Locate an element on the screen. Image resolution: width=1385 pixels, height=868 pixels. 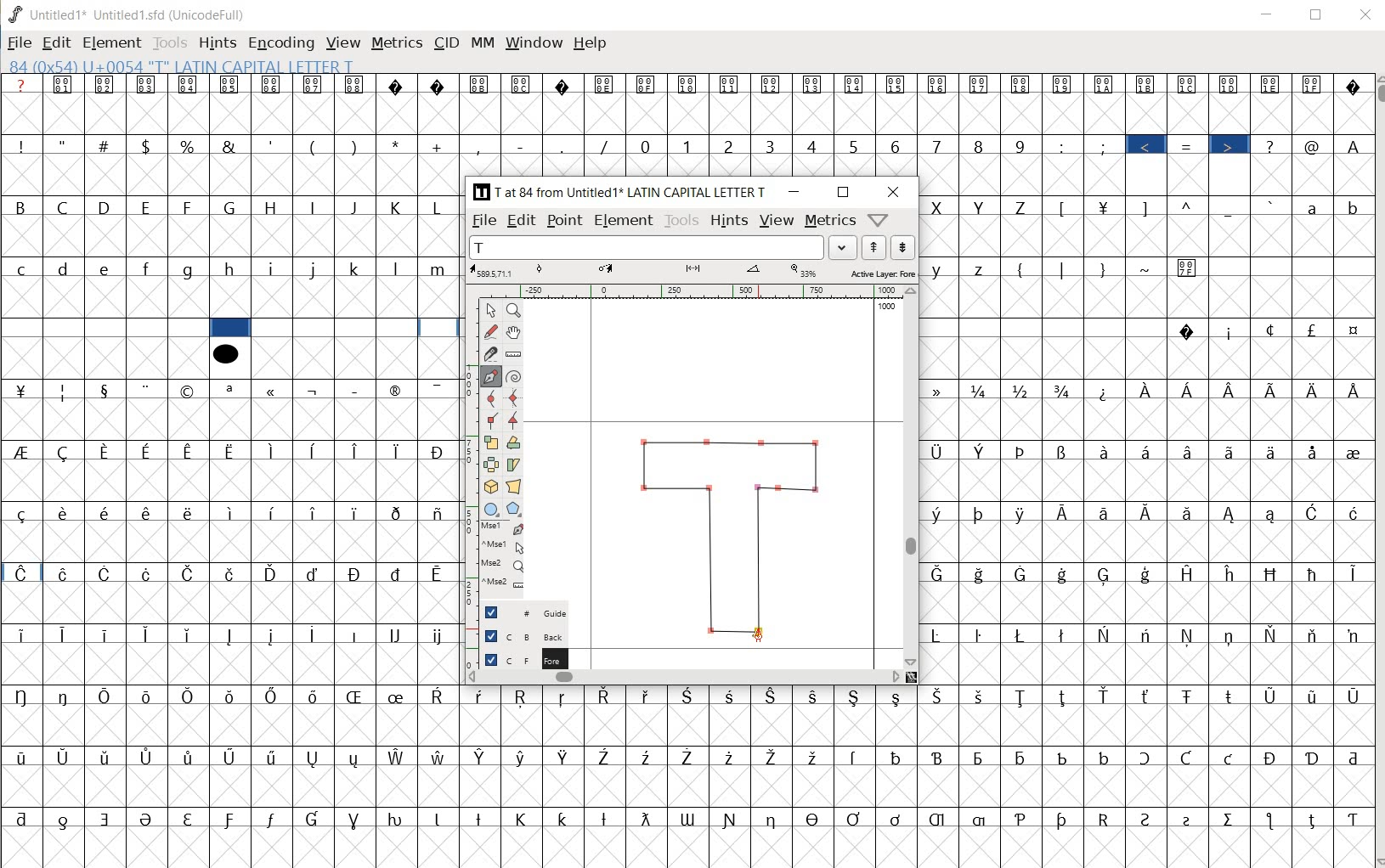
X is located at coordinates (940, 207).